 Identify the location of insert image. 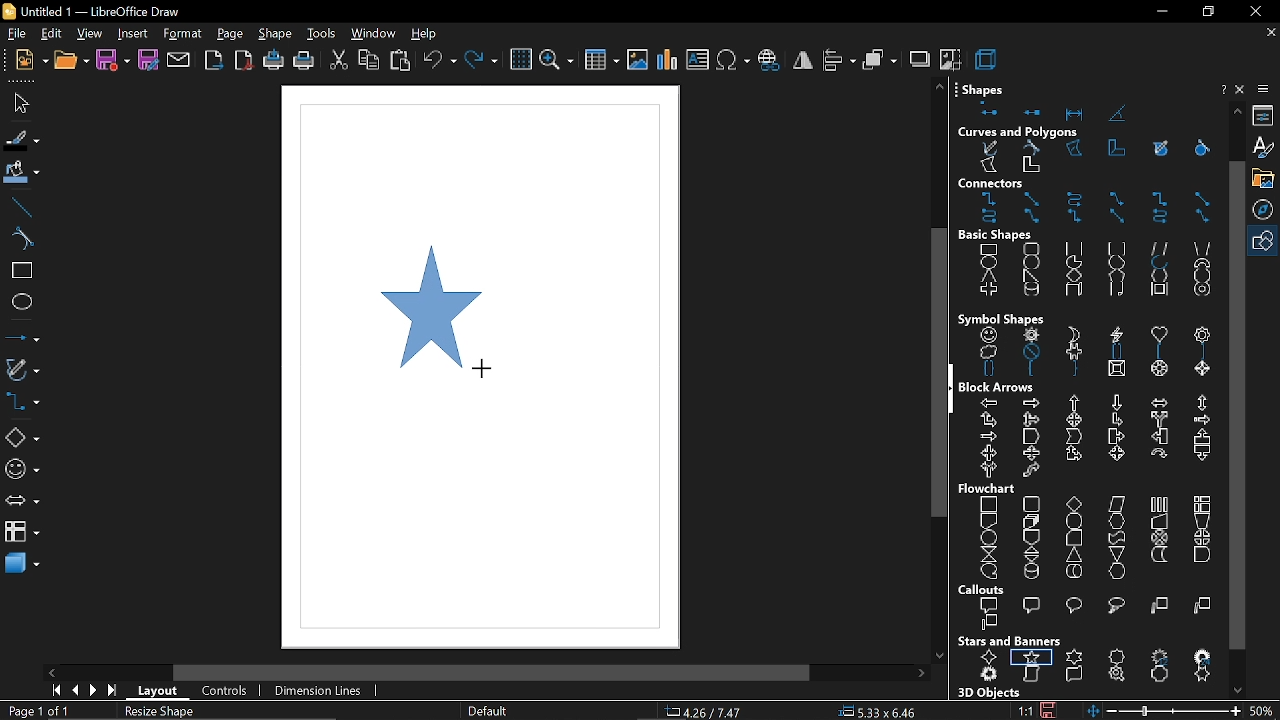
(638, 60).